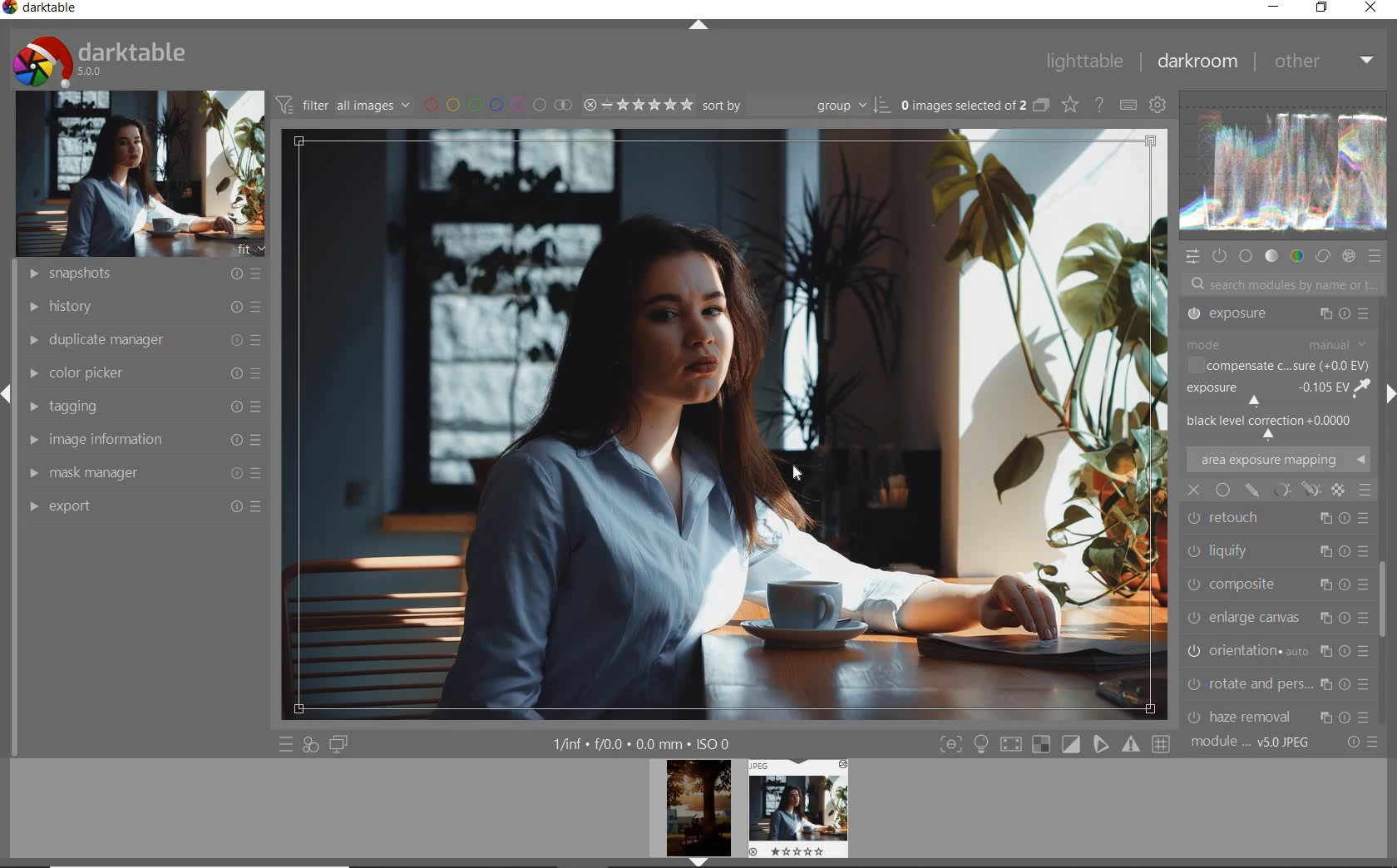 This screenshot has height=868, width=1397. Describe the element at coordinates (698, 814) in the screenshot. I see `IMAGE PREVIEW` at that location.